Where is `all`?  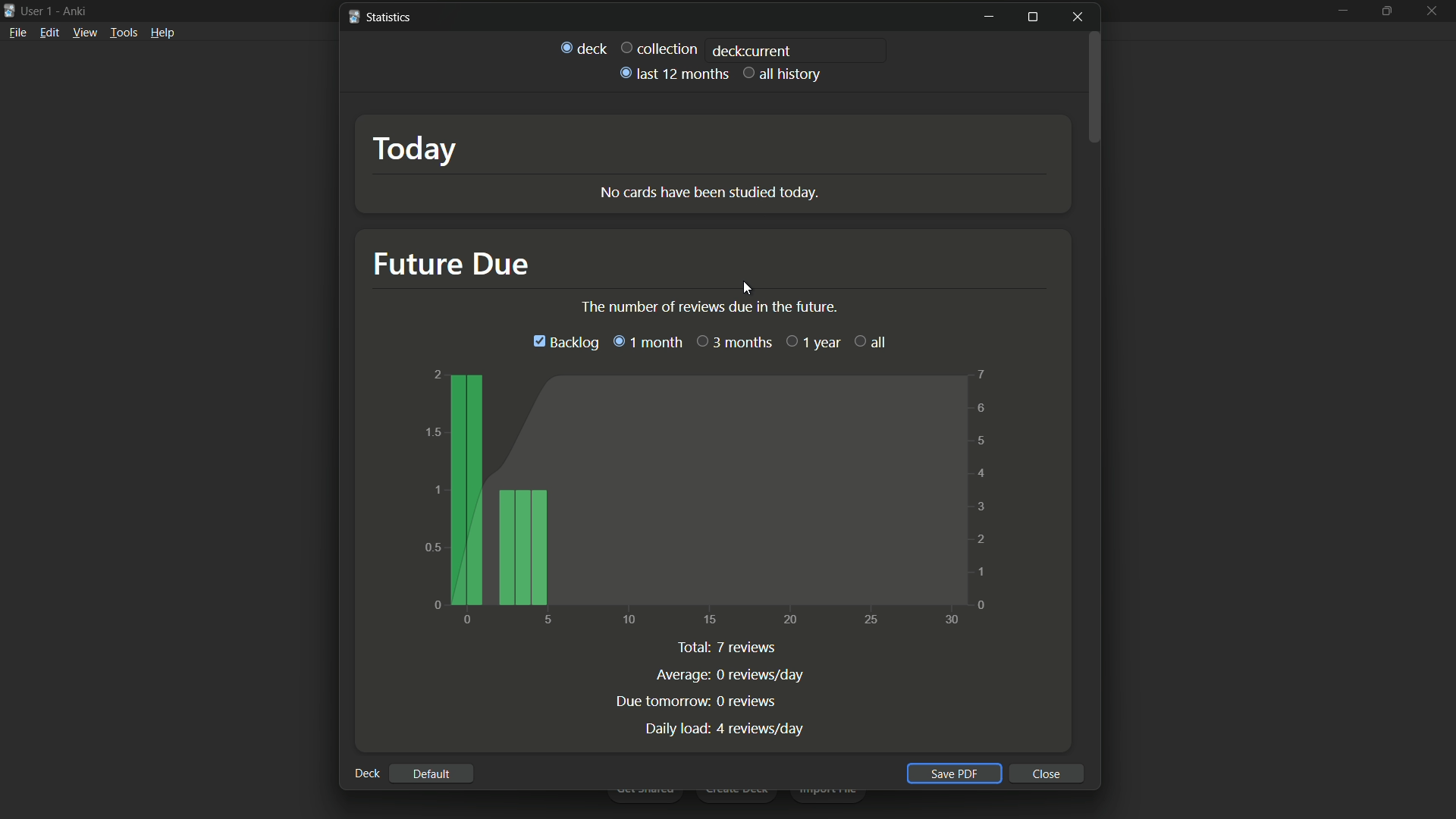
all is located at coordinates (872, 340).